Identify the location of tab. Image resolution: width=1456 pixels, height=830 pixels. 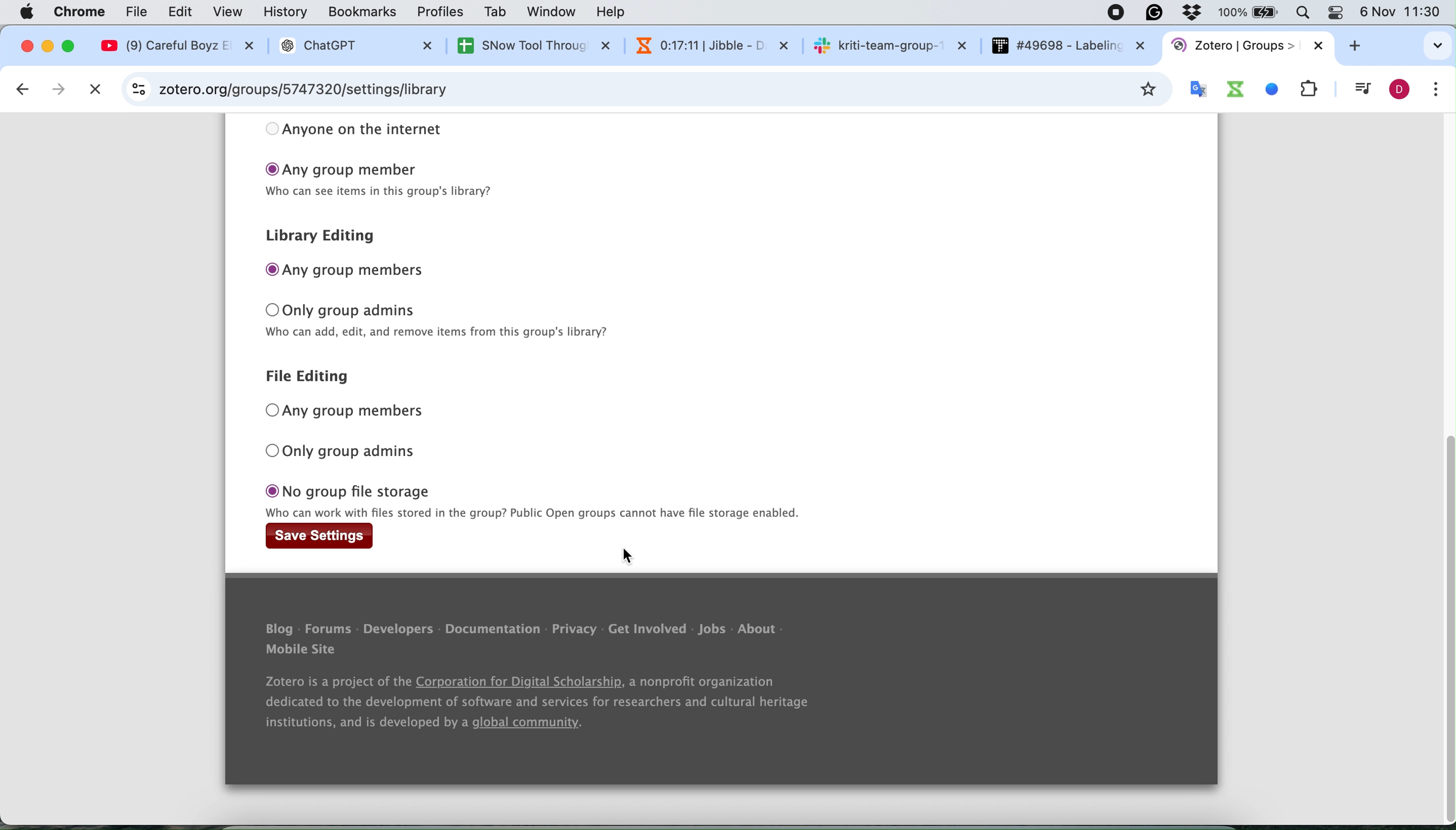
(497, 12).